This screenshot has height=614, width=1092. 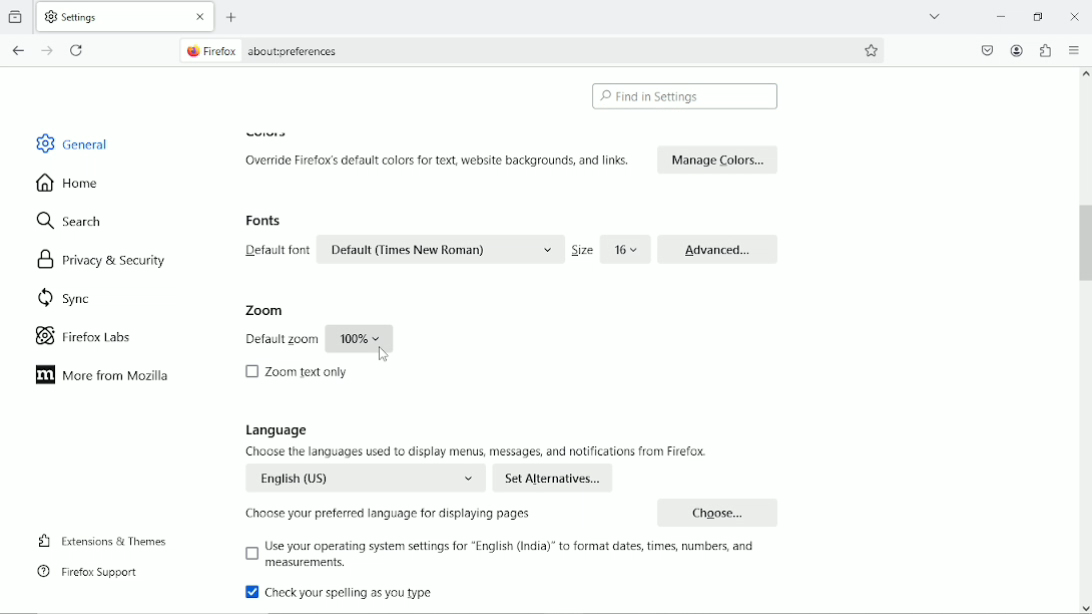 What do you see at coordinates (263, 310) in the screenshot?
I see `Zoom` at bounding box center [263, 310].